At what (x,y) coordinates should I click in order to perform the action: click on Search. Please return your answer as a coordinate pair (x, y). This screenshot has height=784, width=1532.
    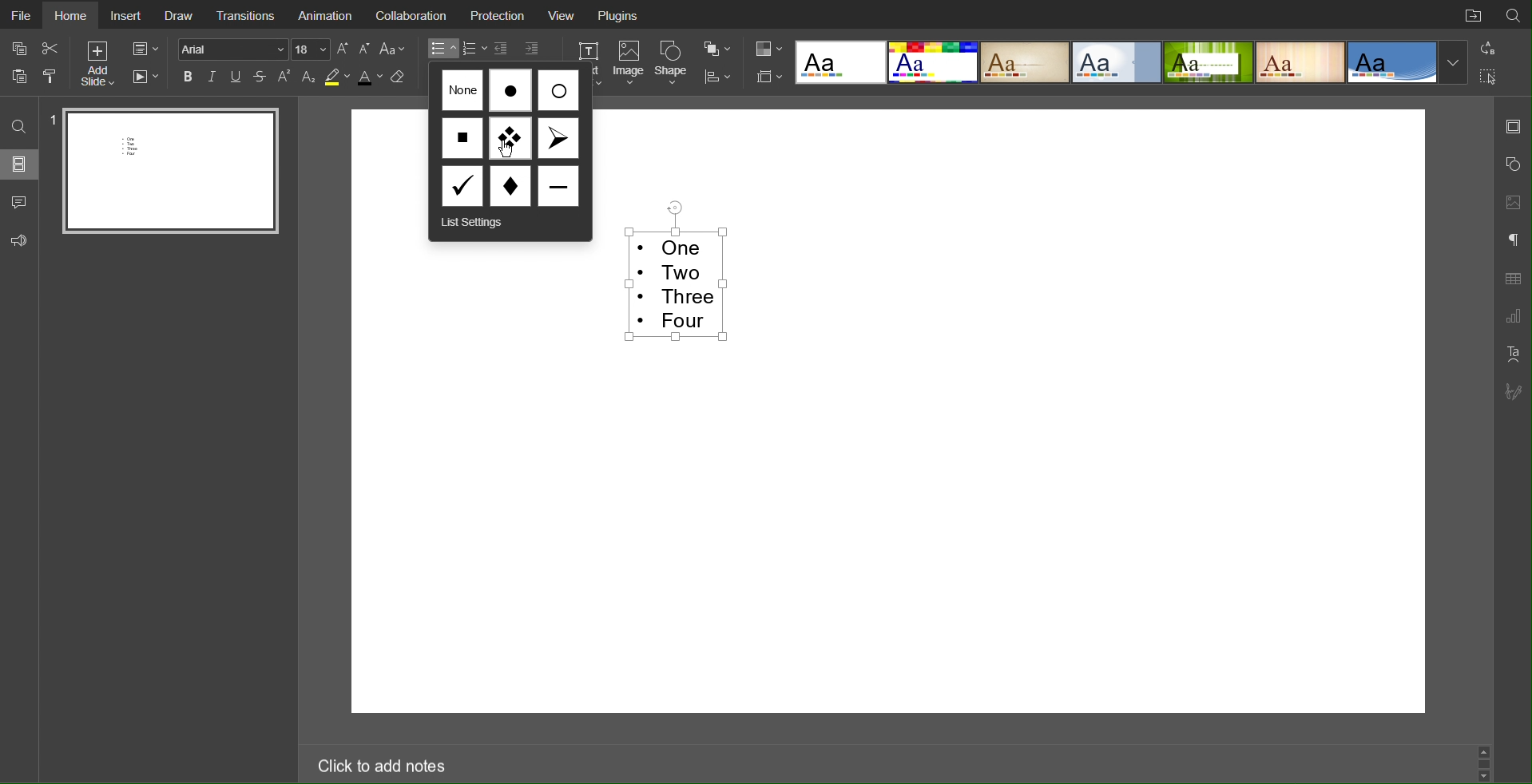
    Looking at the image, I should click on (1514, 14).